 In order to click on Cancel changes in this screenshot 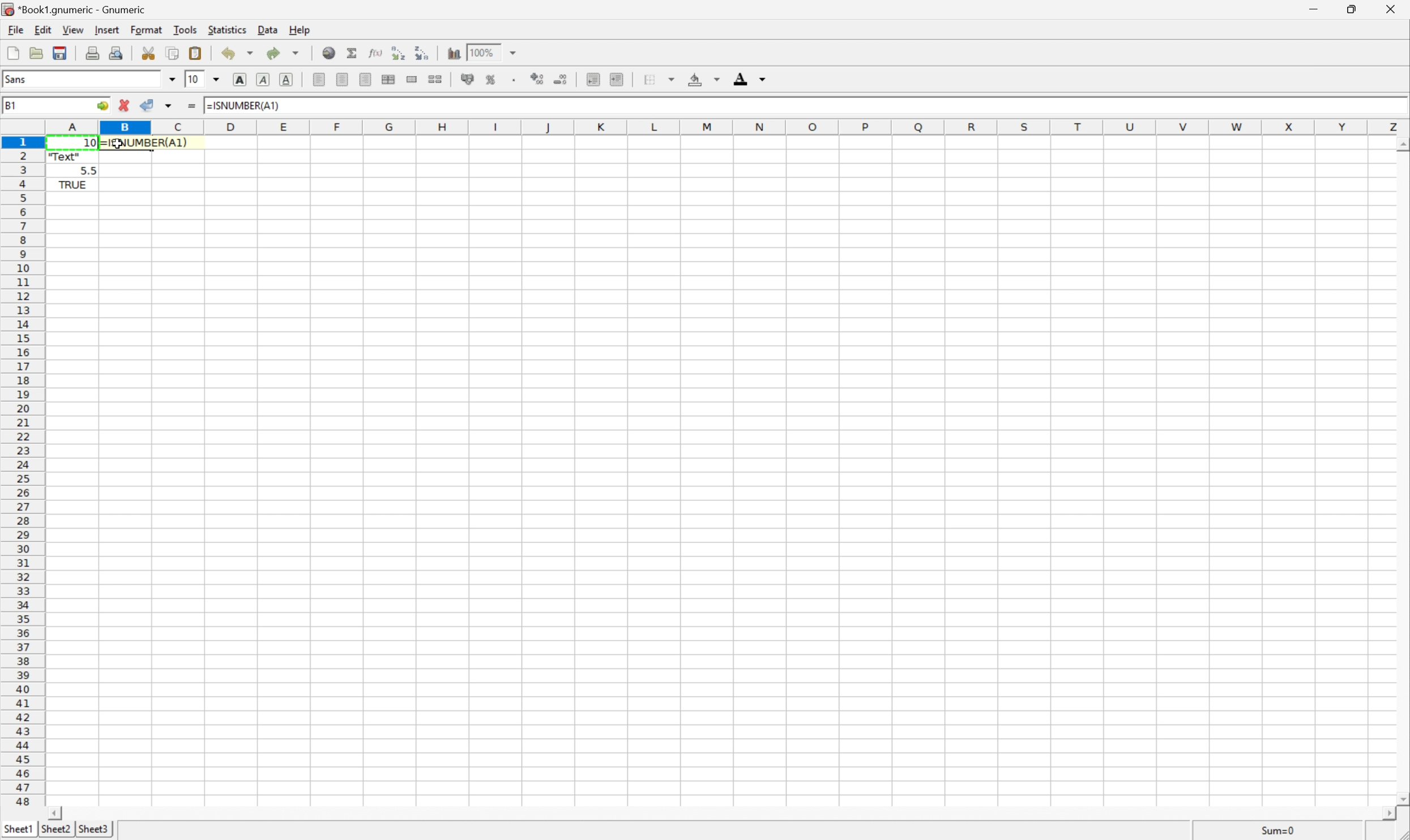, I will do `click(125, 106)`.